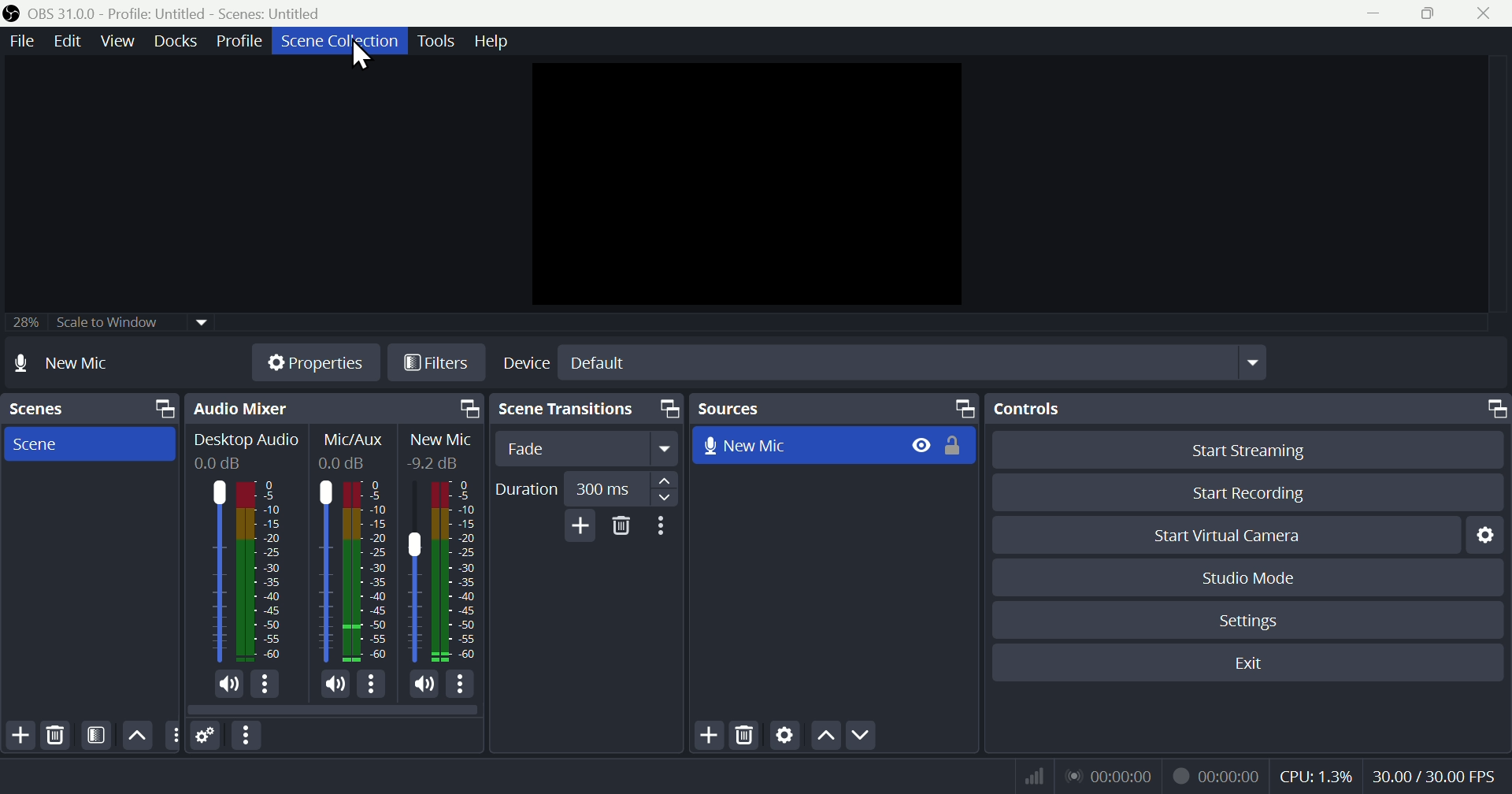  What do you see at coordinates (336, 42) in the screenshot?
I see `Scene collection` at bounding box center [336, 42].